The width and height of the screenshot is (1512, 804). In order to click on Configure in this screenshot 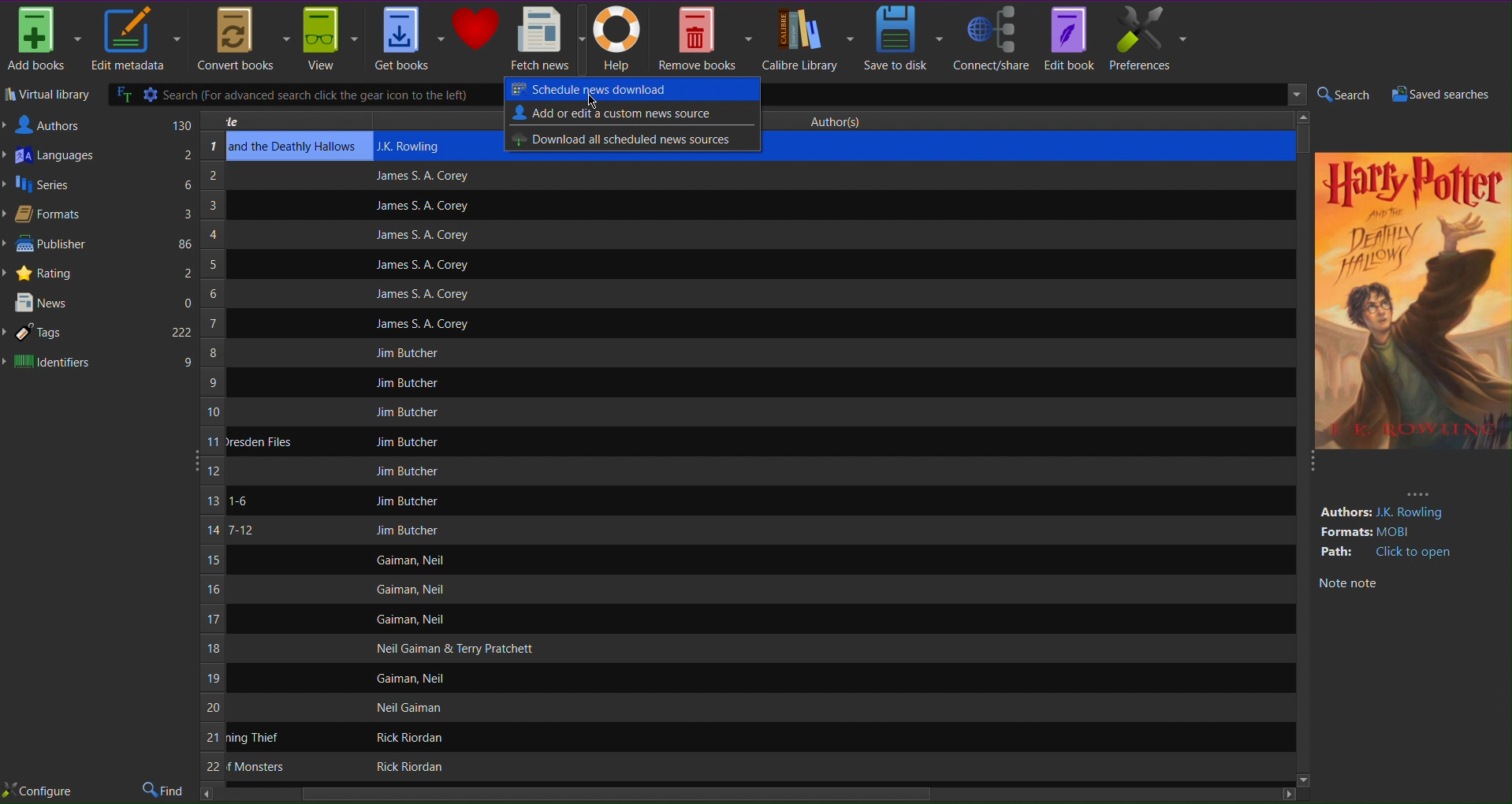, I will do `click(38, 791)`.